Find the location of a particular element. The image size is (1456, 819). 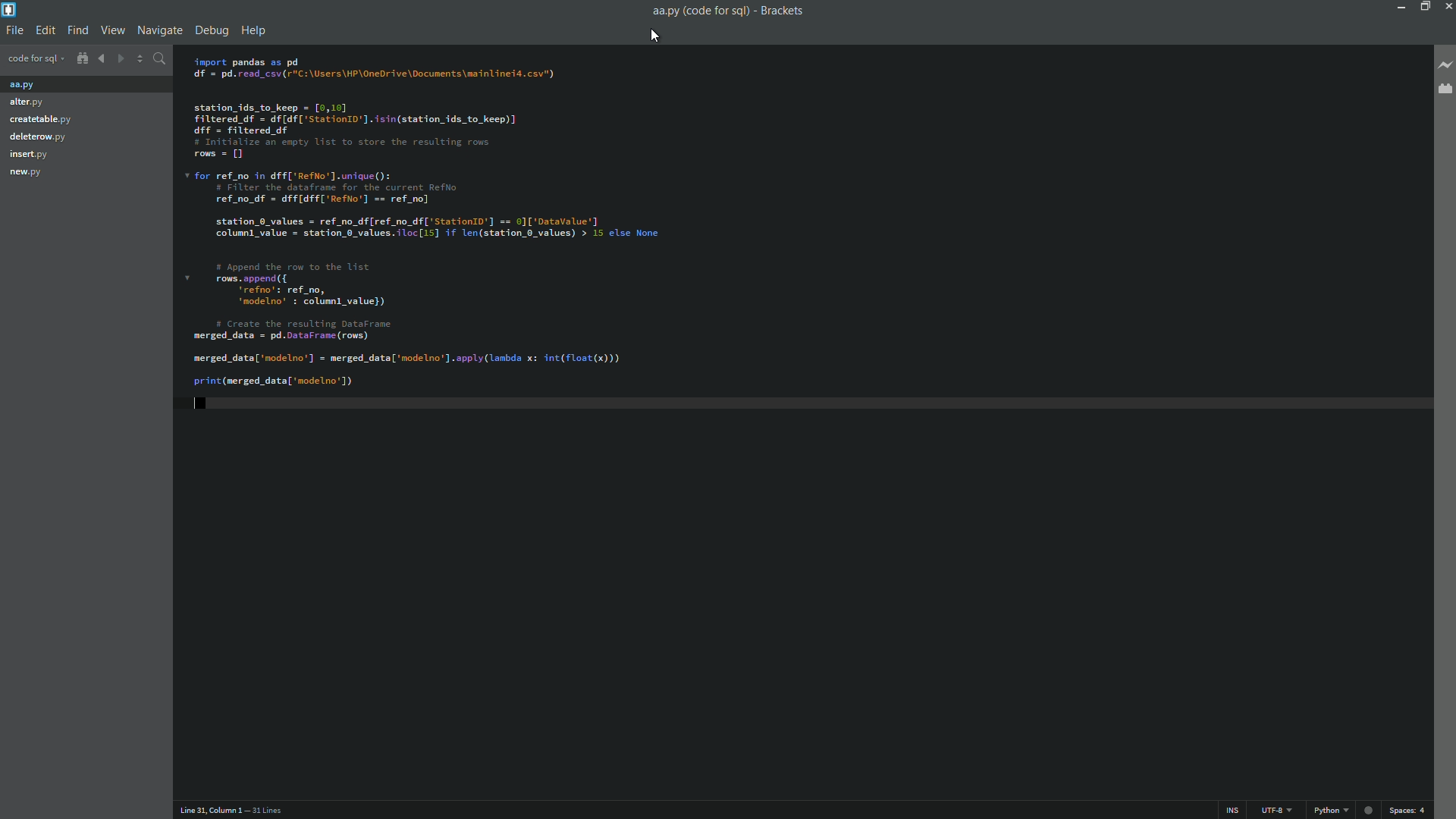

aa.py (code for sq) - Brackets is located at coordinates (732, 12).